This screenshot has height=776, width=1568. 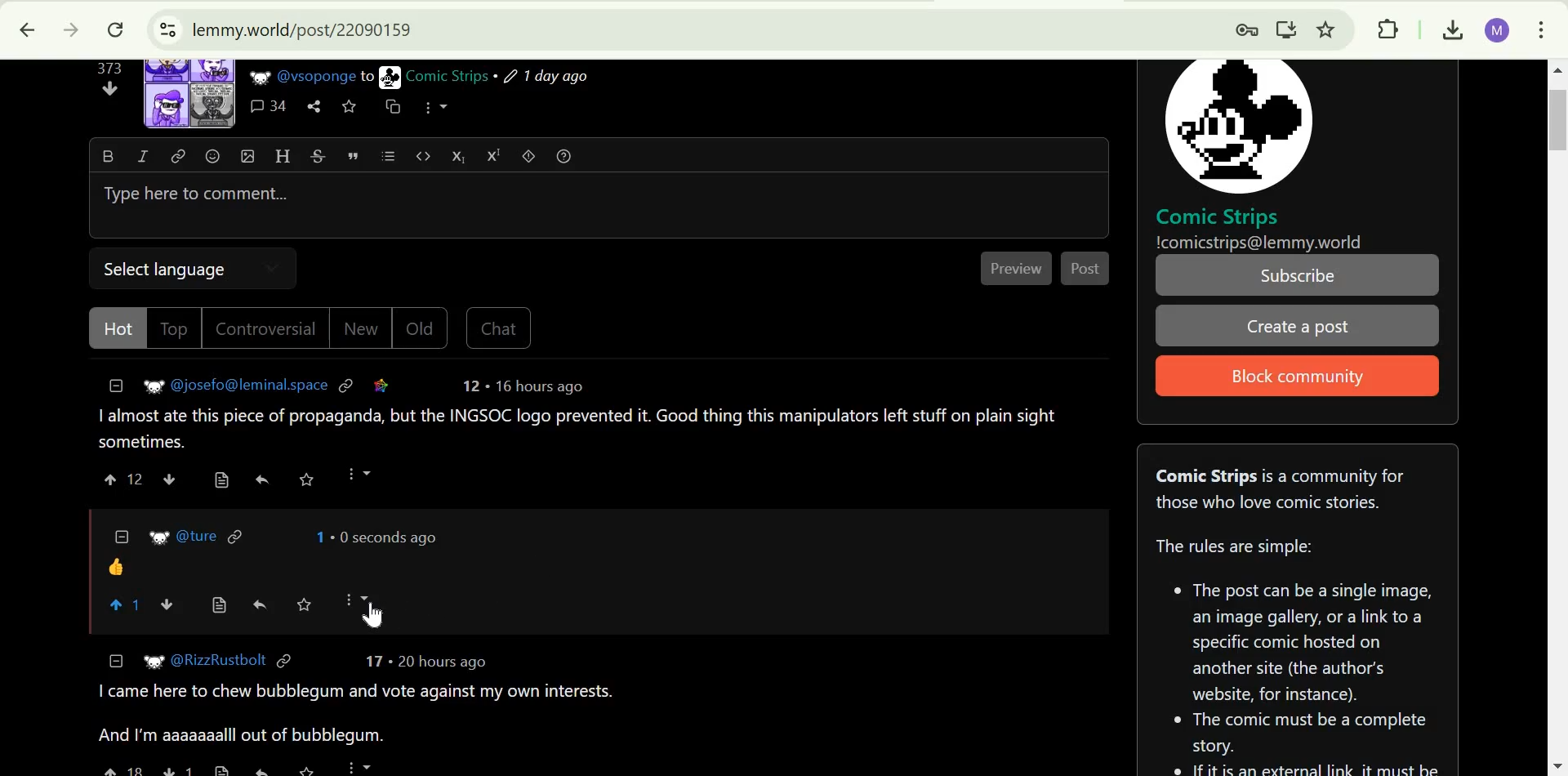 What do you see at coordinates (172, 265) in the screenshot?
I see `Select language` at bounding box center [172, 265].